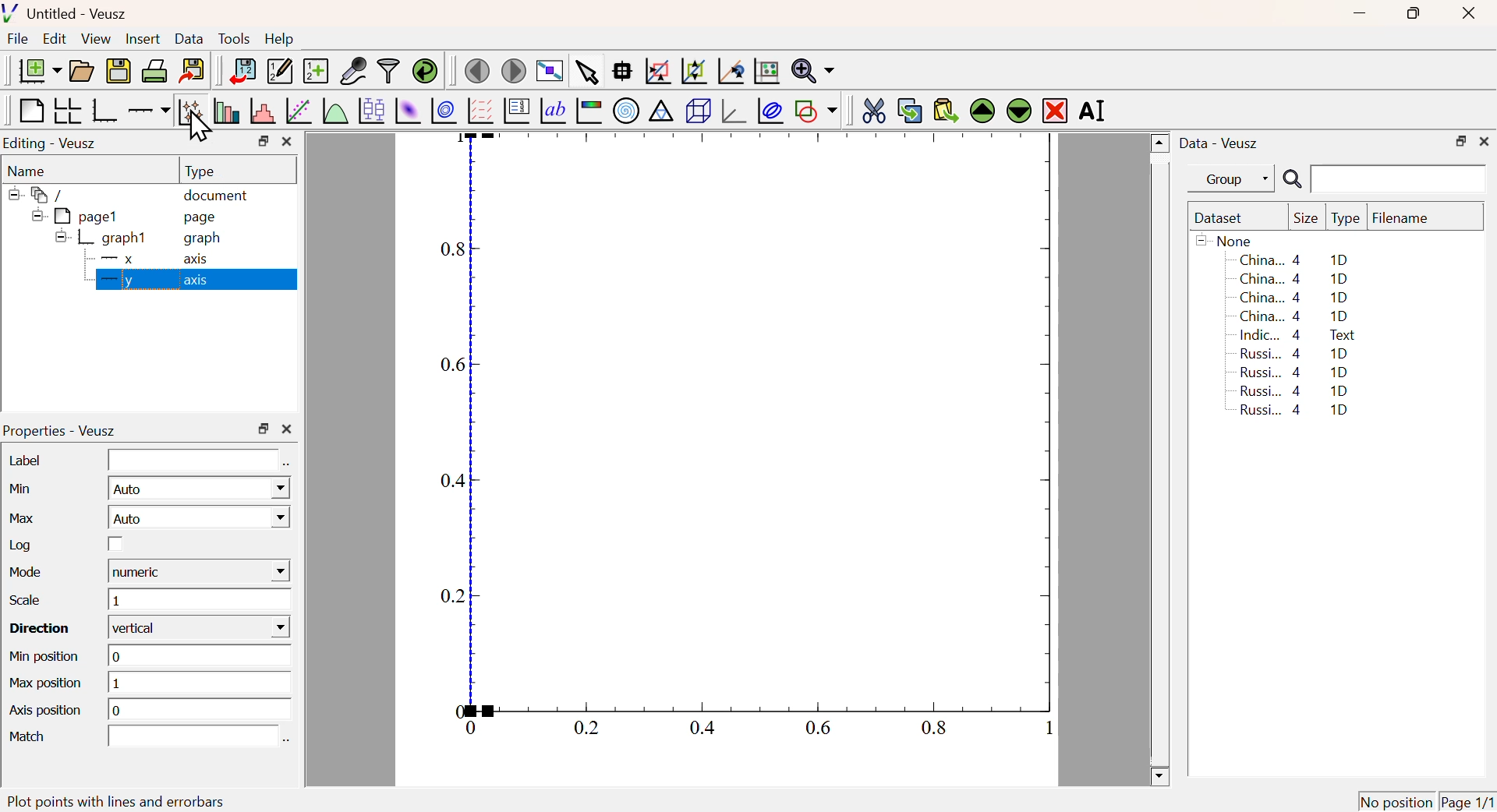  Describe the element at coordinates (280, 39) in the screenshot. I see `Help` at that location.